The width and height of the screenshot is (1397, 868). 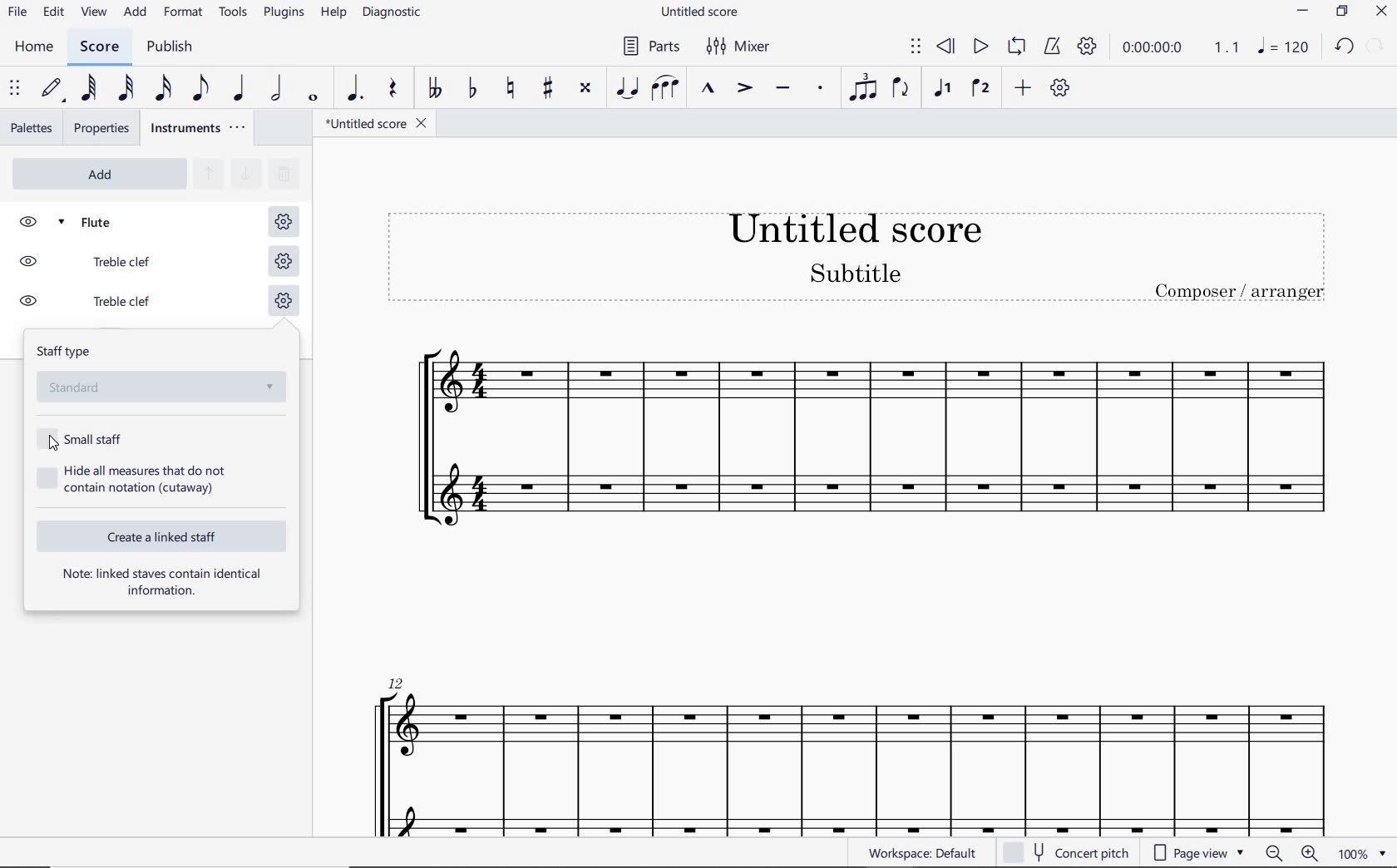 What do you see at coordinates (1024, 88) in the screenshot?
I see `ADD` at bounding box center [1024, 88].